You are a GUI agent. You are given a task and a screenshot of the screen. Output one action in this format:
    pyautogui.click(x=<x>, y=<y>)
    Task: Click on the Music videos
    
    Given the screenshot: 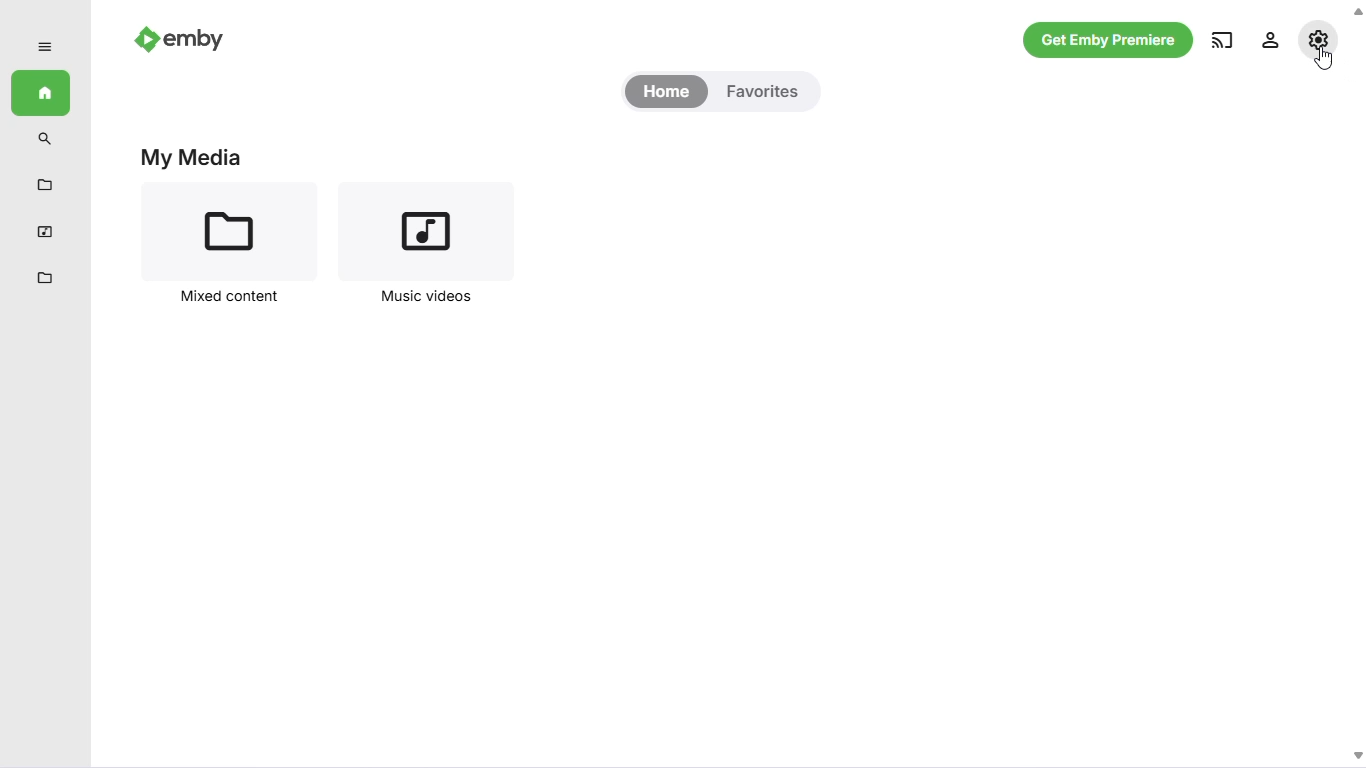 What is the action you would take?
    pyautogui.click(x=427, y=295)
    